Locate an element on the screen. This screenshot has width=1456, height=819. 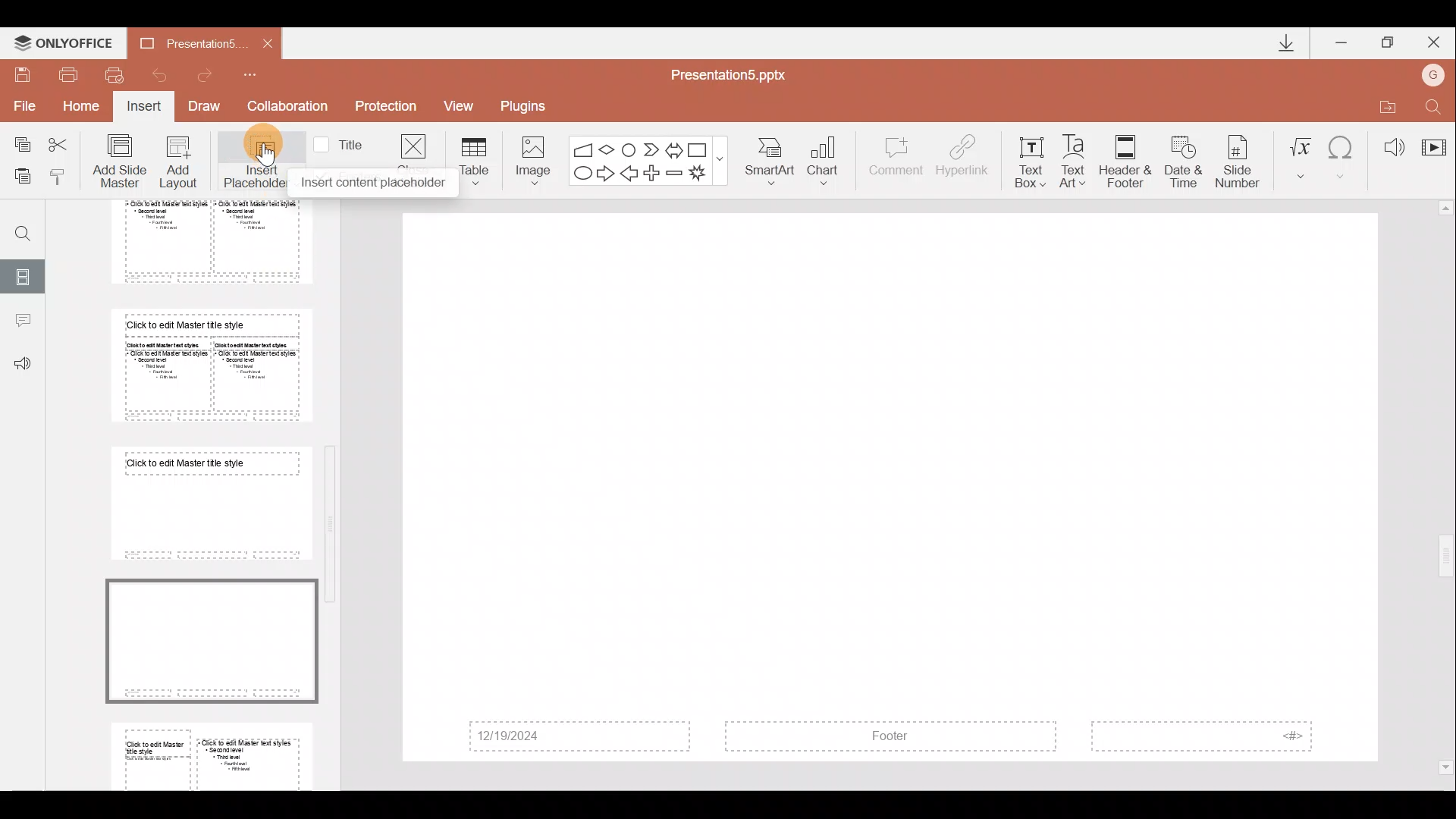
Add slide master is located at coordinates (123, 162).